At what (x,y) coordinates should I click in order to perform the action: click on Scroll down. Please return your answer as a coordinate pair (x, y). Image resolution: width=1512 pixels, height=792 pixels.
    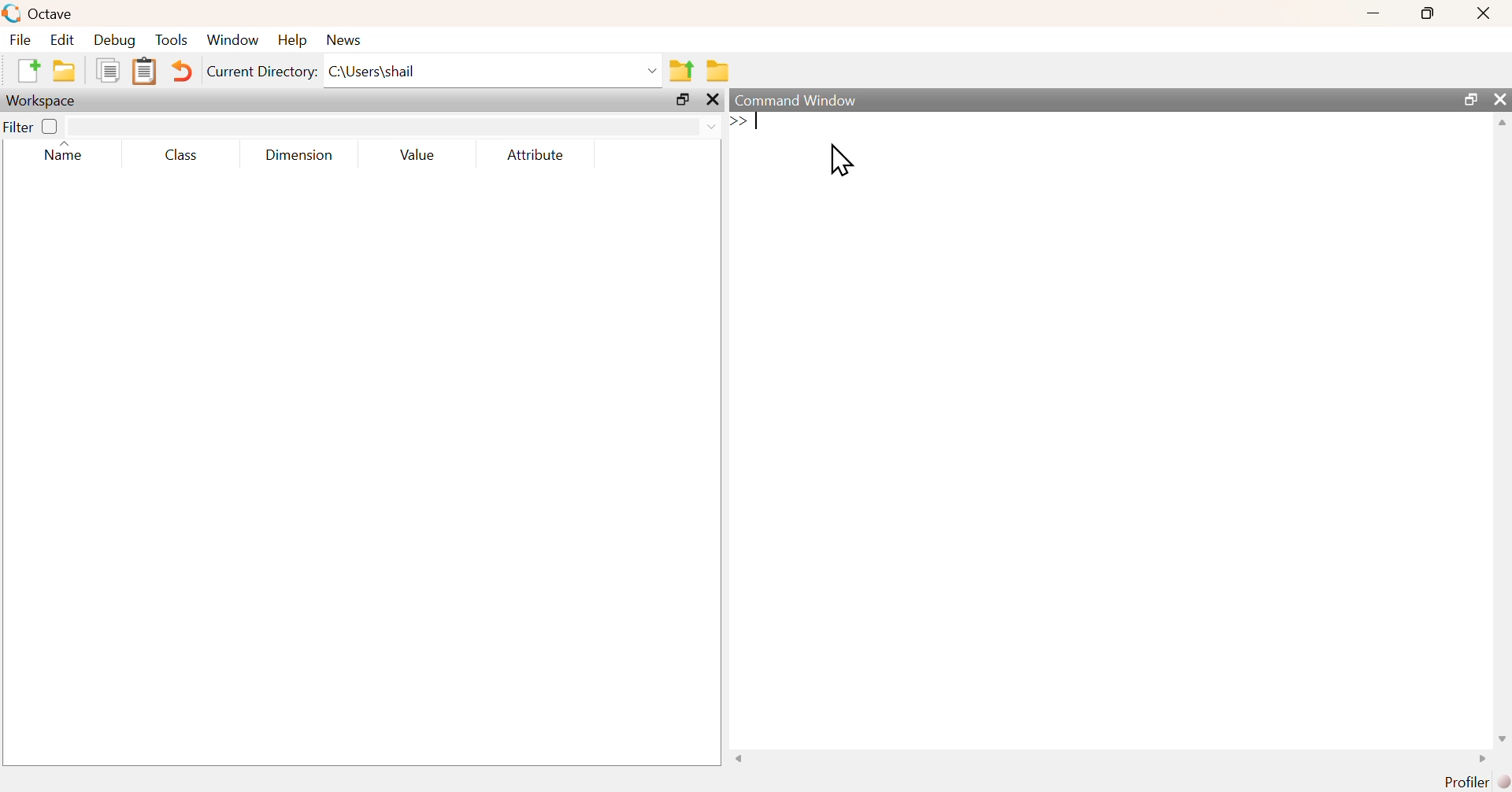
    Looking at the image, I should click on (1500, 739).